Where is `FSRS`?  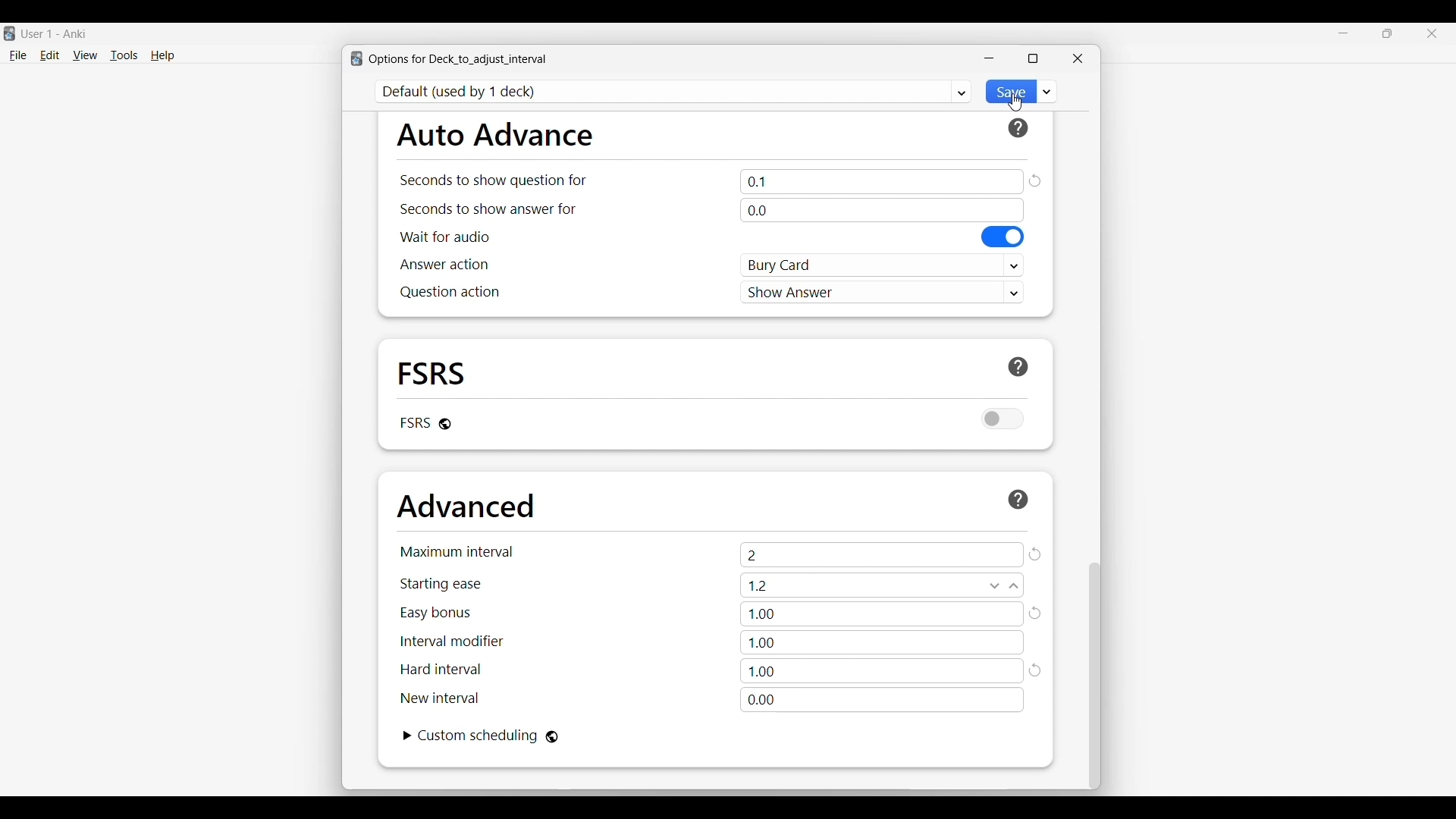 FSRS is located at coordinates (432, 372).